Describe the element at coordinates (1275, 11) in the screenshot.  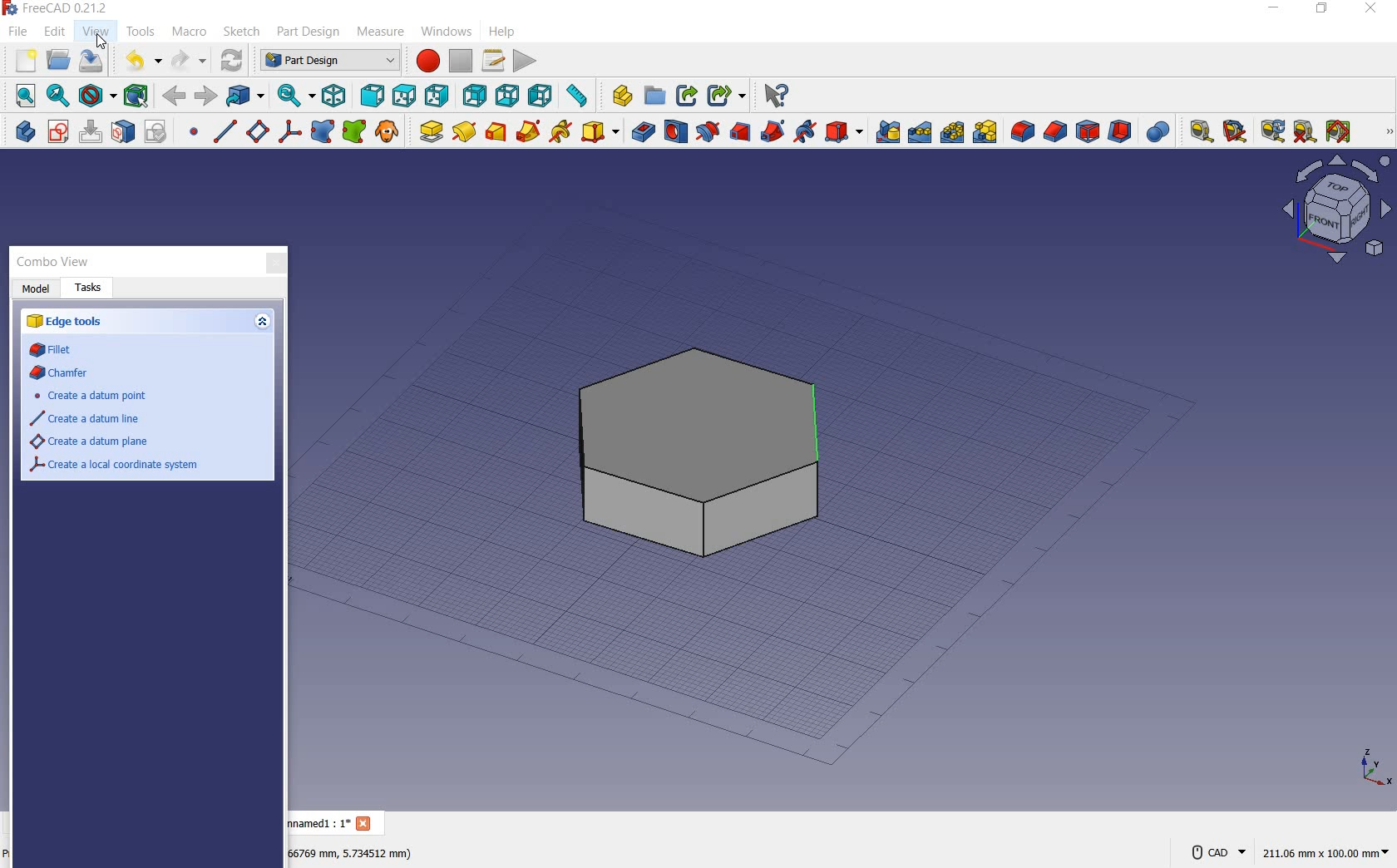
I see `MINIMIZE` at that location.